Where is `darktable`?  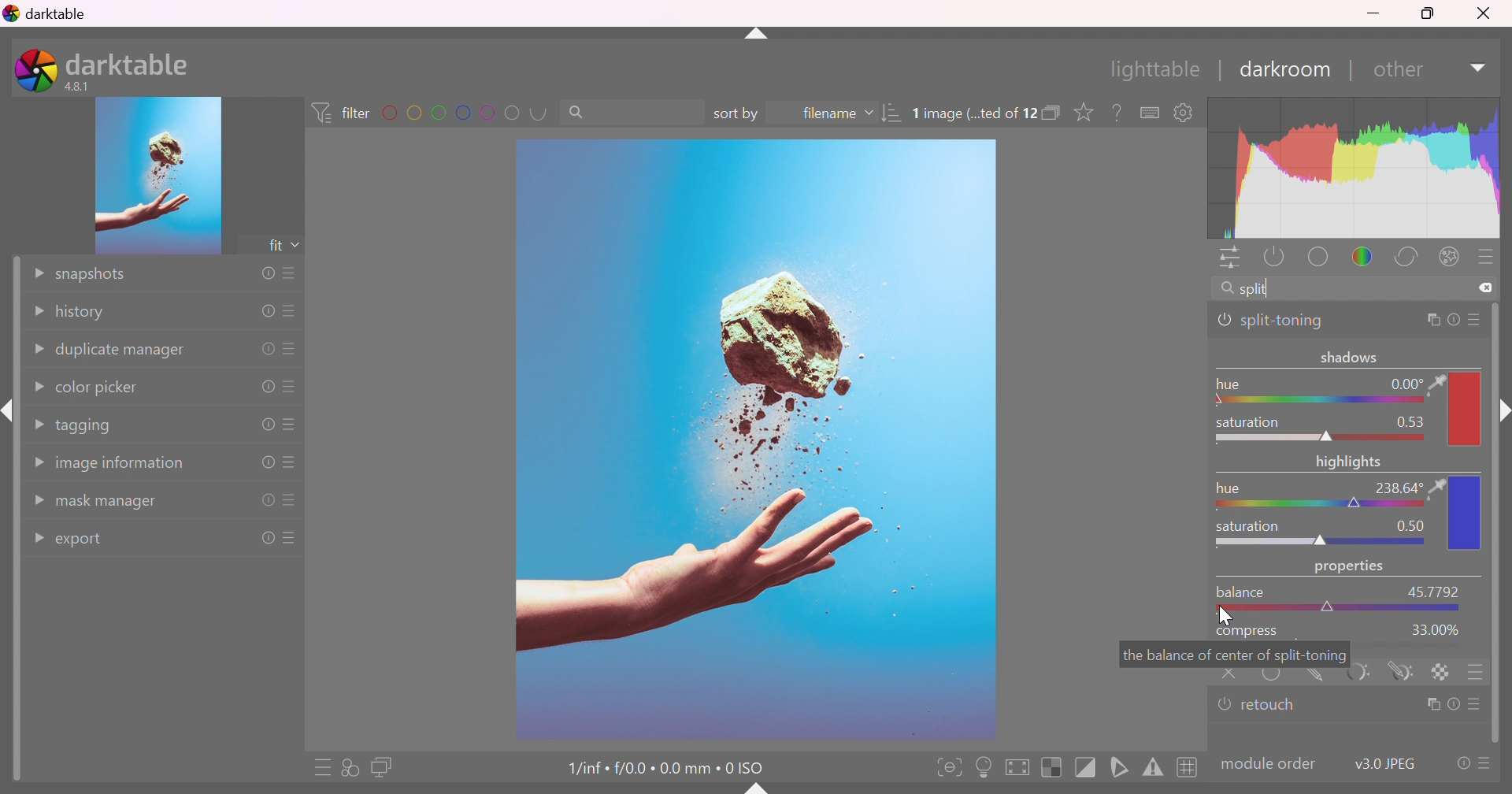
darktable is located at coordinates (50, 13).